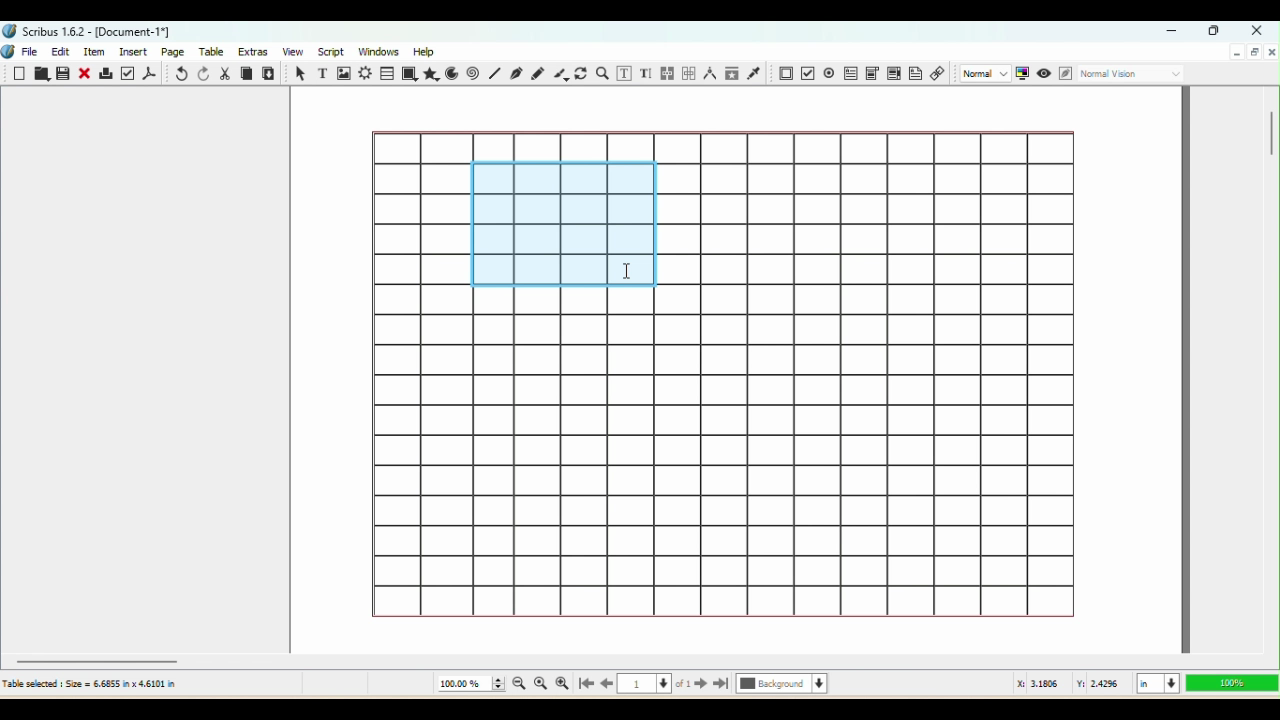 Image resolution: width=1280 pixels, height=720 pixels. What do you see at coordinates (559, 74) in the screenshot?
I see `Calligraphic line` at bounding box center [559, 74].